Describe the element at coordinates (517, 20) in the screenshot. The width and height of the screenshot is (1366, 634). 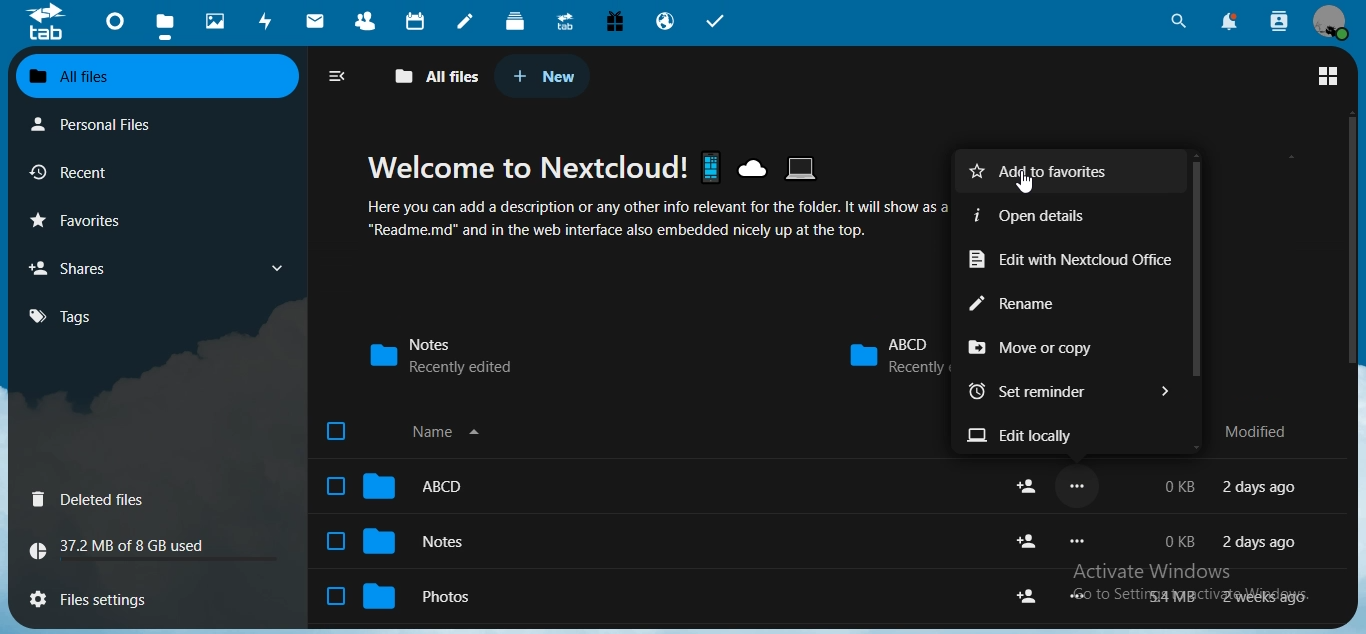
I see `deck` at that location.